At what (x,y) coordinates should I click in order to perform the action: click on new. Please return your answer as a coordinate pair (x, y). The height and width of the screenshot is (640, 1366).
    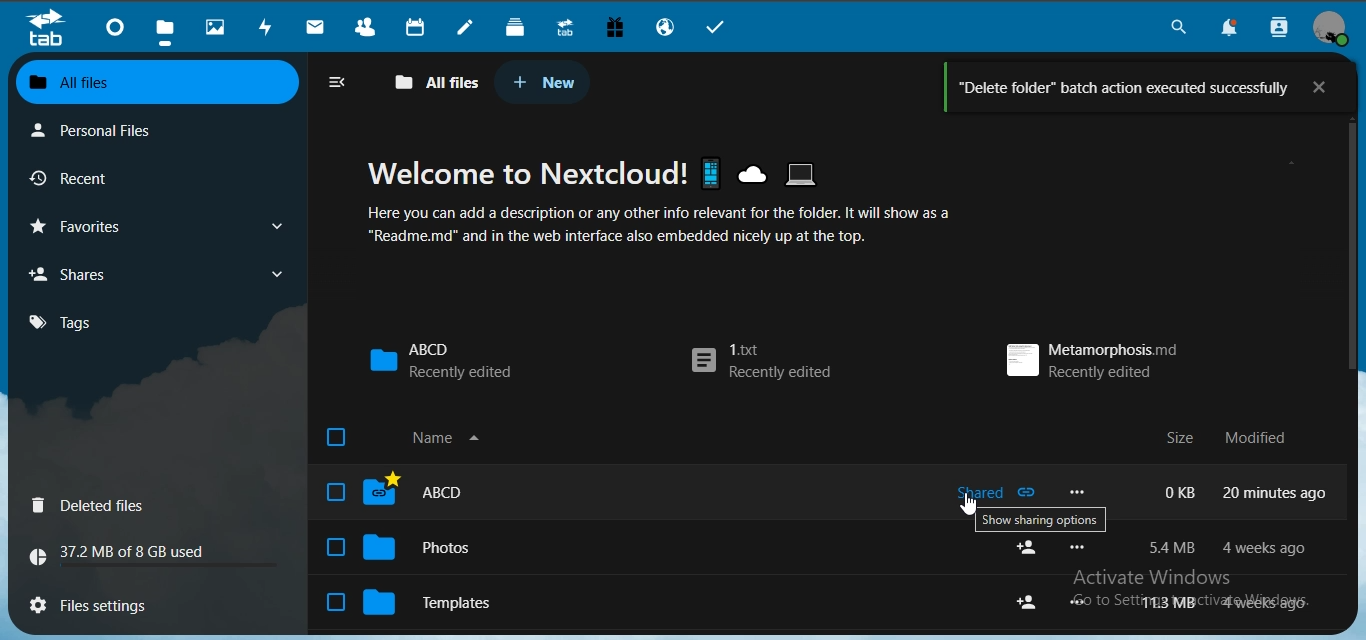
    Looking at the image, I should click on (544, 81).